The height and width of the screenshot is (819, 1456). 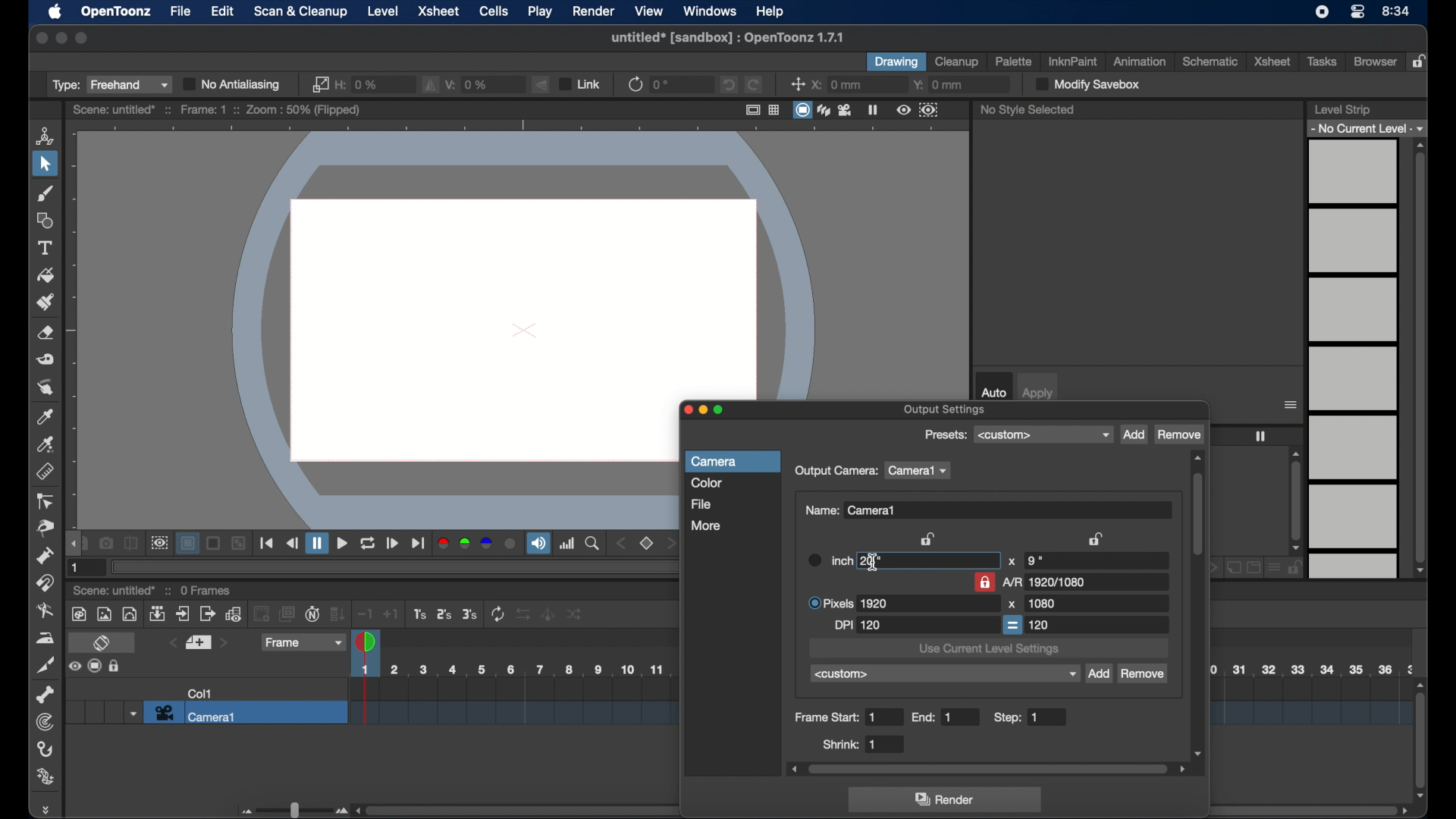 I want to click on render, so click(x=592, y=11).